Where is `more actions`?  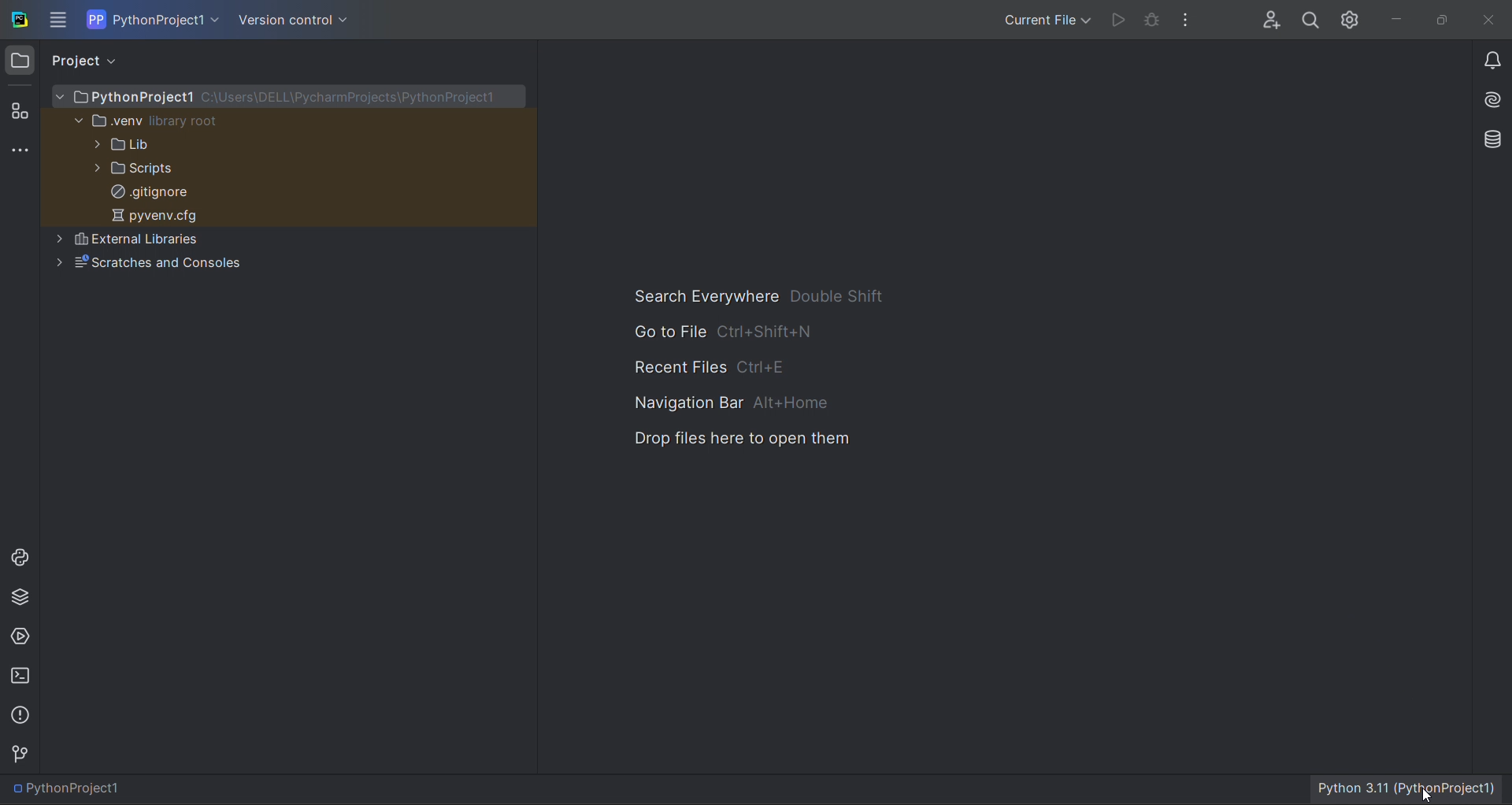 more actions is located at coordinates (1191, 18).